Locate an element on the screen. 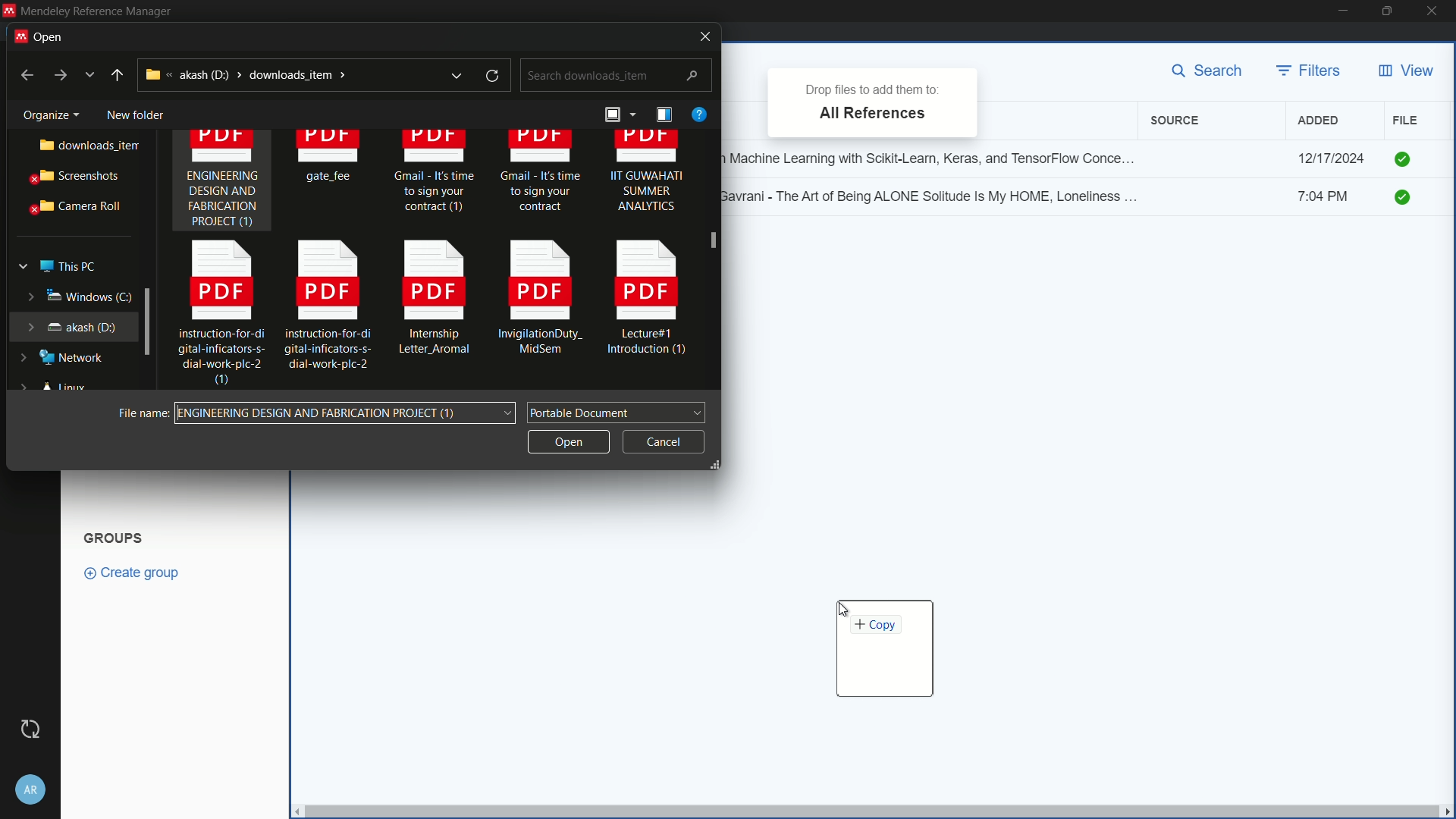 This screenshot has width=1456, height=819. Groups is located at coordinates (116, 536).